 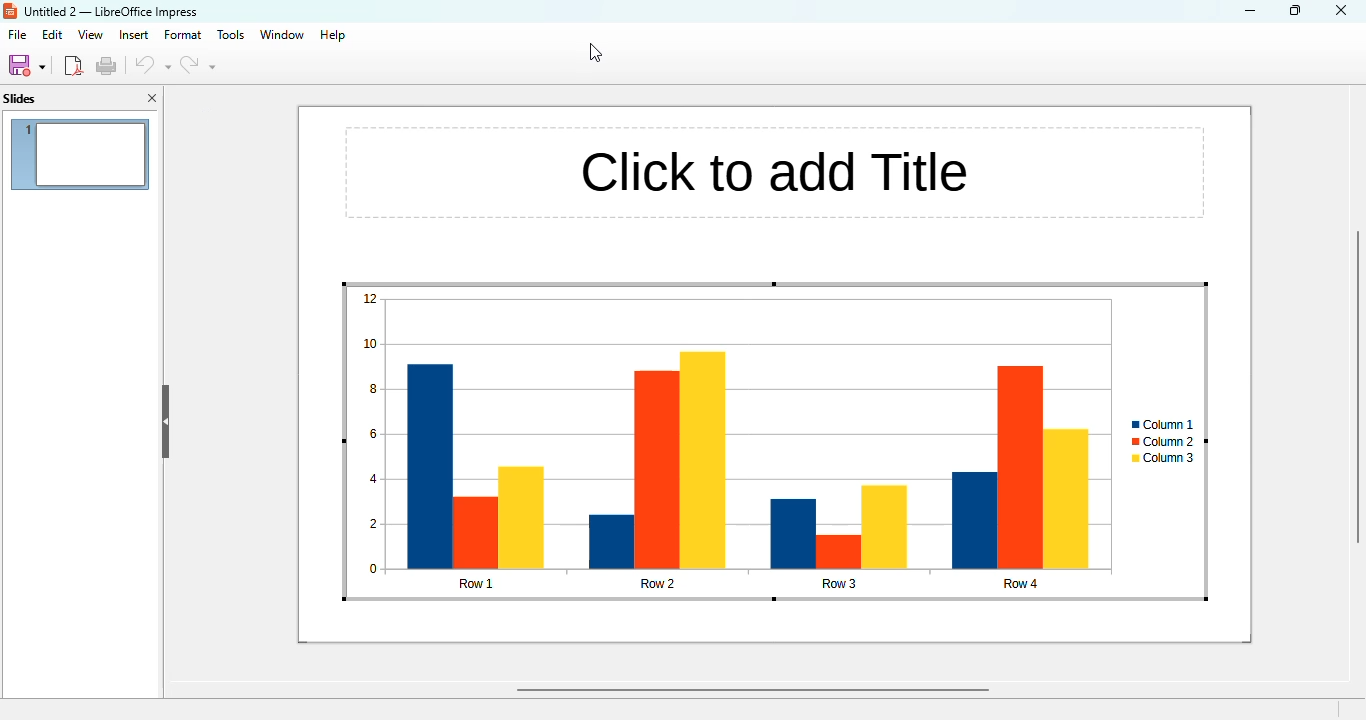 What do you see at coordinates (107, 66) in the screenshot?
I see `print` at bounding box center [107, 66].